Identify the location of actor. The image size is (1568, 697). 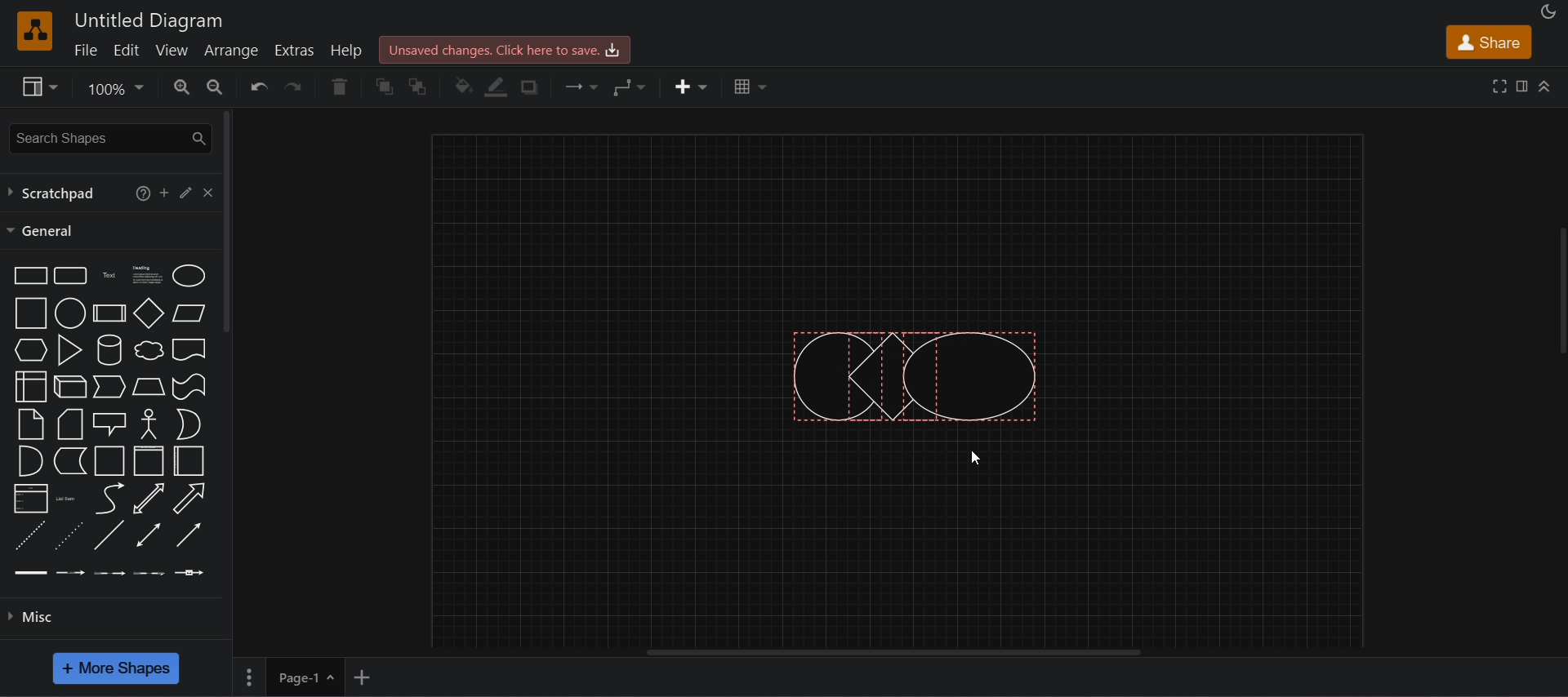
(149, 422).